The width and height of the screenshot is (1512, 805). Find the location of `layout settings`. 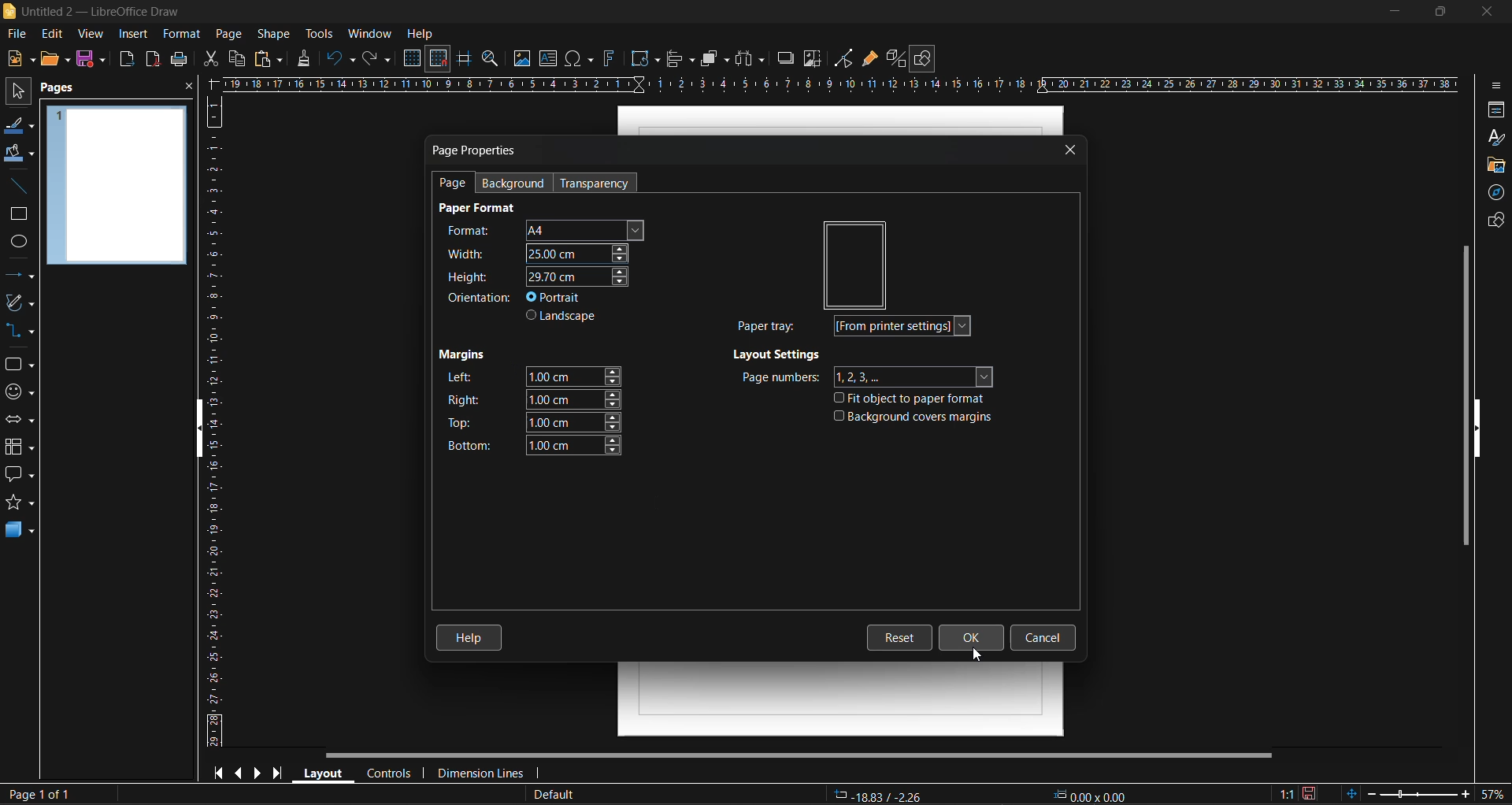

layout settings is located at coordinates (780, 357).